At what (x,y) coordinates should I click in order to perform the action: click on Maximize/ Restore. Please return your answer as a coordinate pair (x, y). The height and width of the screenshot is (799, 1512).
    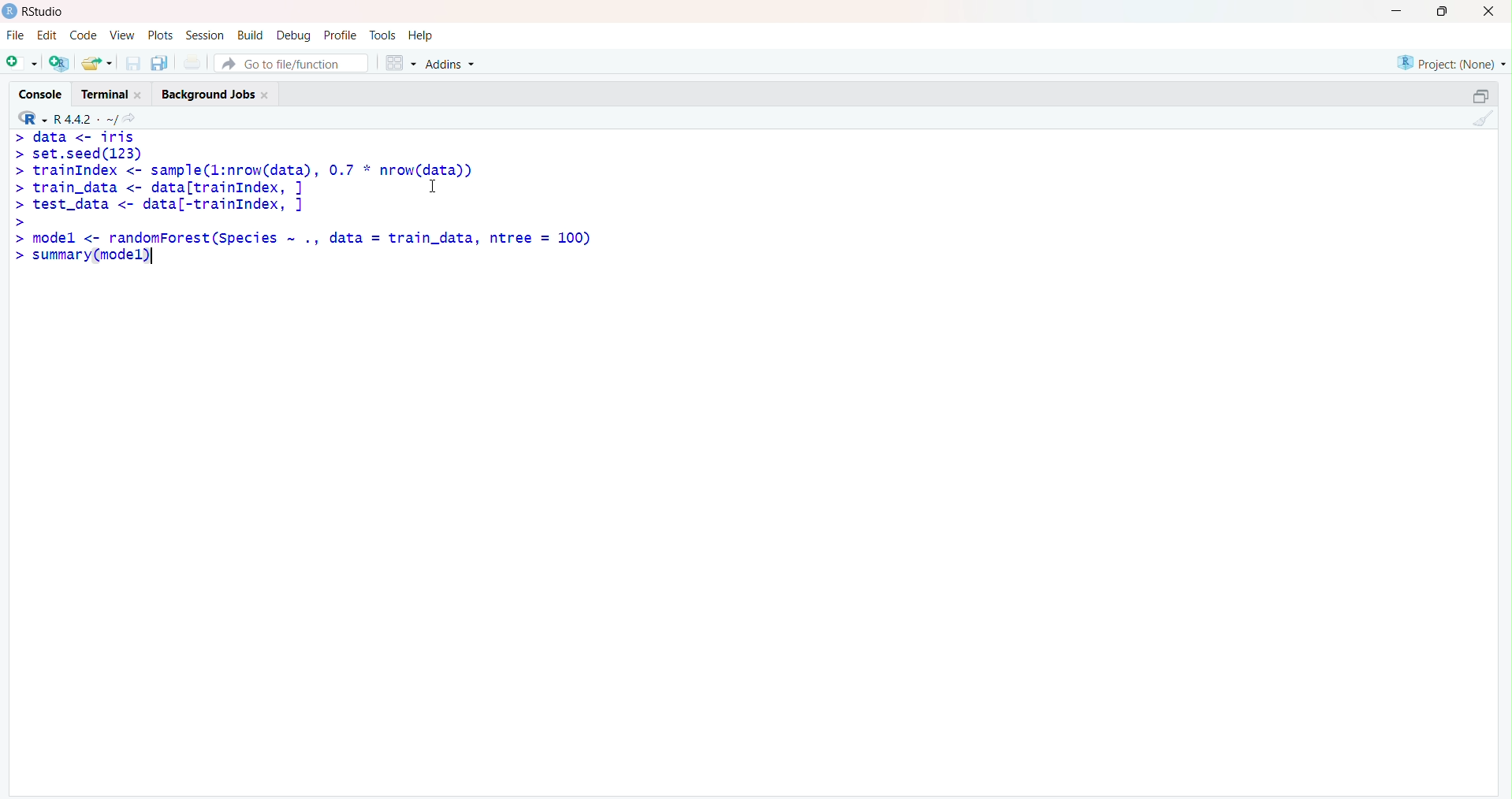
    Looking at the image, I should click on (1478, 95).